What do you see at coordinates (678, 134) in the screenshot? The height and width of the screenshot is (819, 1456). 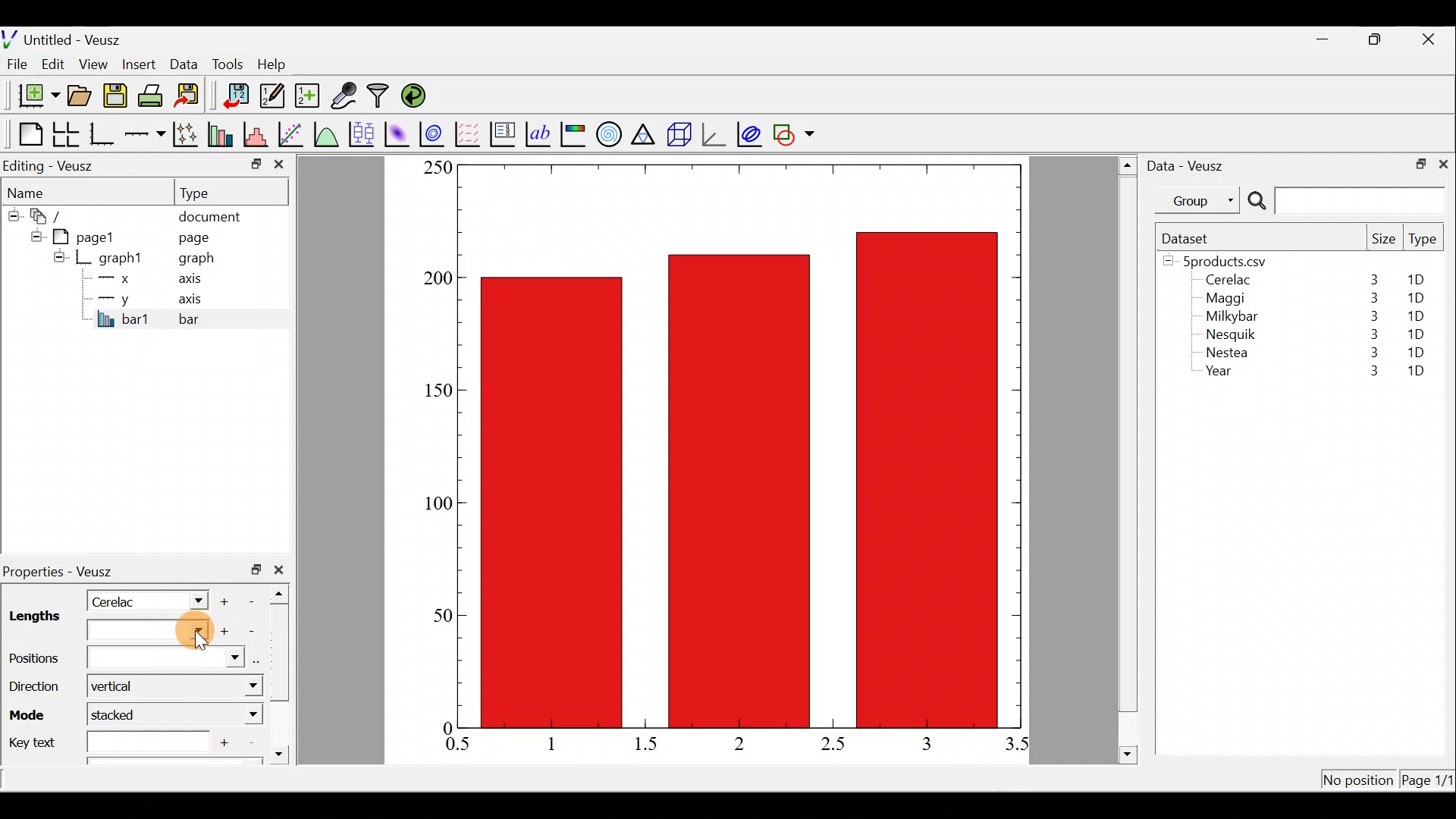 I see `3d scene` at bounding box center [678, 134].